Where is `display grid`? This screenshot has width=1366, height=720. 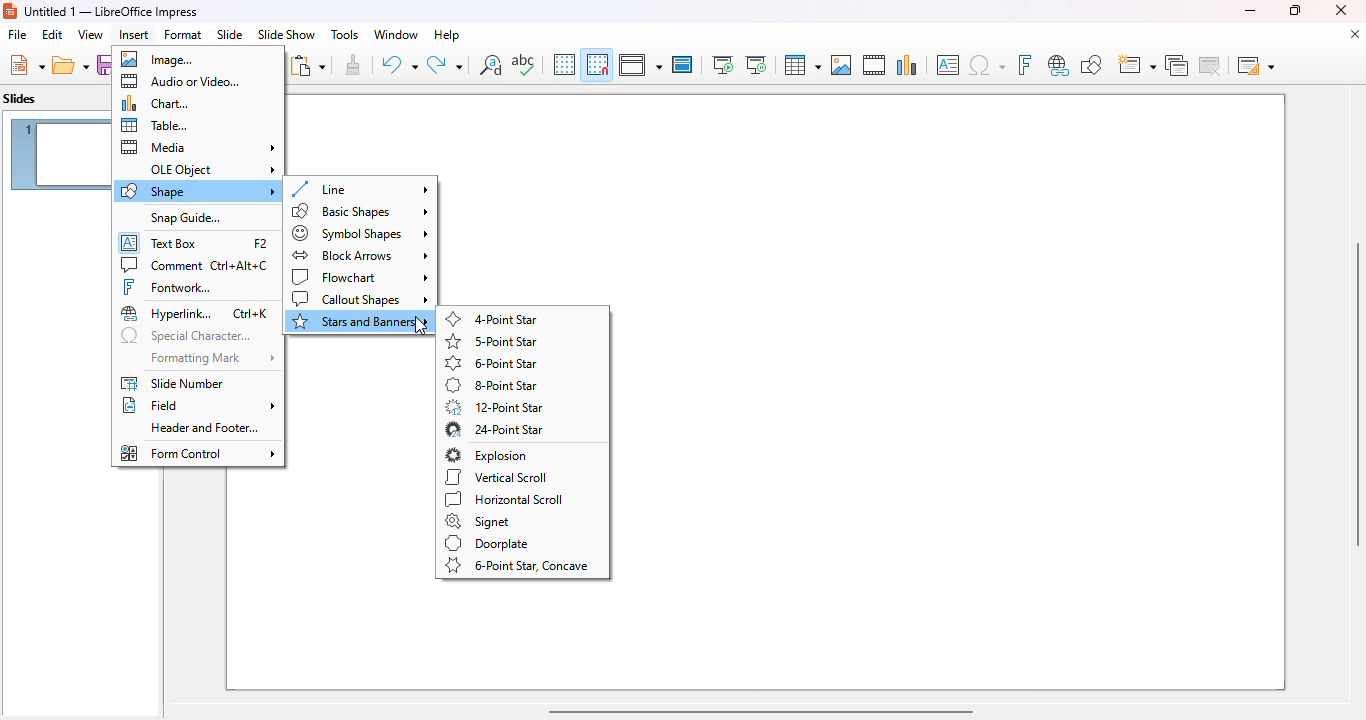 display grid is located at coordinates (563, 64).